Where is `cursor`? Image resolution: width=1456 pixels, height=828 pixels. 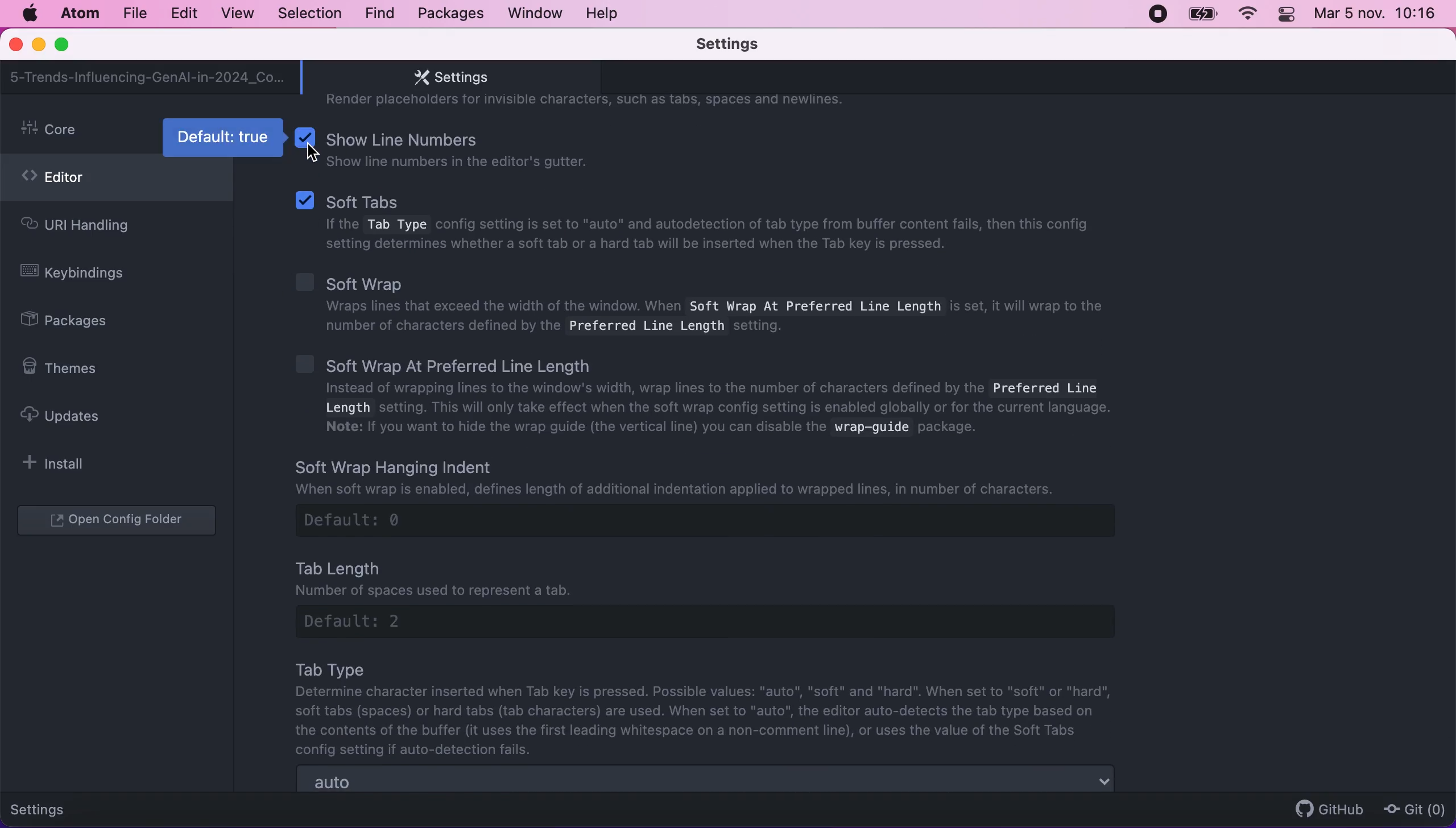 cursor is located at coordinates (317, 155).